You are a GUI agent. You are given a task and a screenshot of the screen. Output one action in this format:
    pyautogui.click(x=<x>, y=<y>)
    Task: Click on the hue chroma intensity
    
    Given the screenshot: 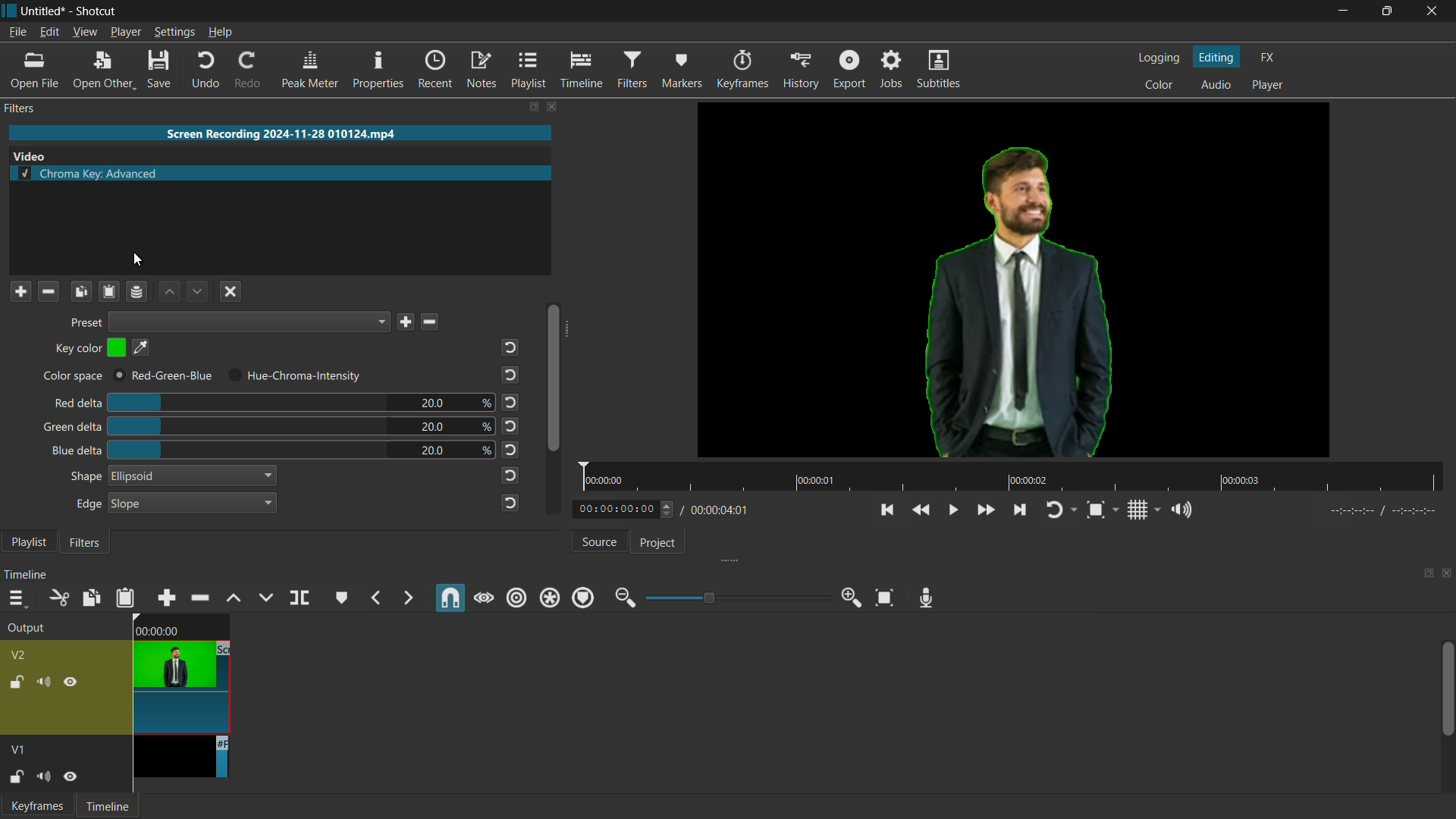 What is the action you would take?
    pyautogui.click(x=308, y=378)
    